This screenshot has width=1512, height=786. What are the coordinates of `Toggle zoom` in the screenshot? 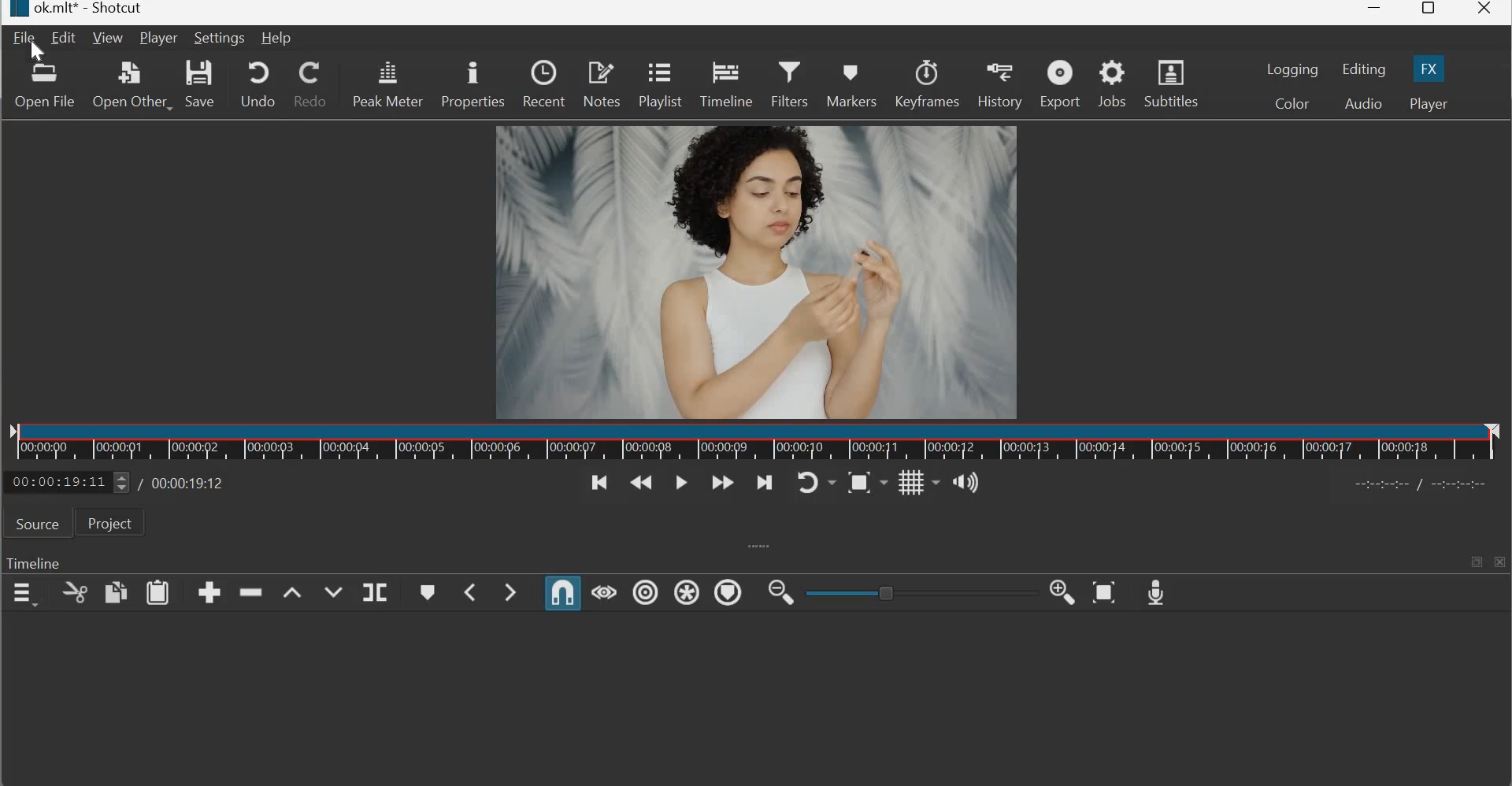 It's located at (867, 480).